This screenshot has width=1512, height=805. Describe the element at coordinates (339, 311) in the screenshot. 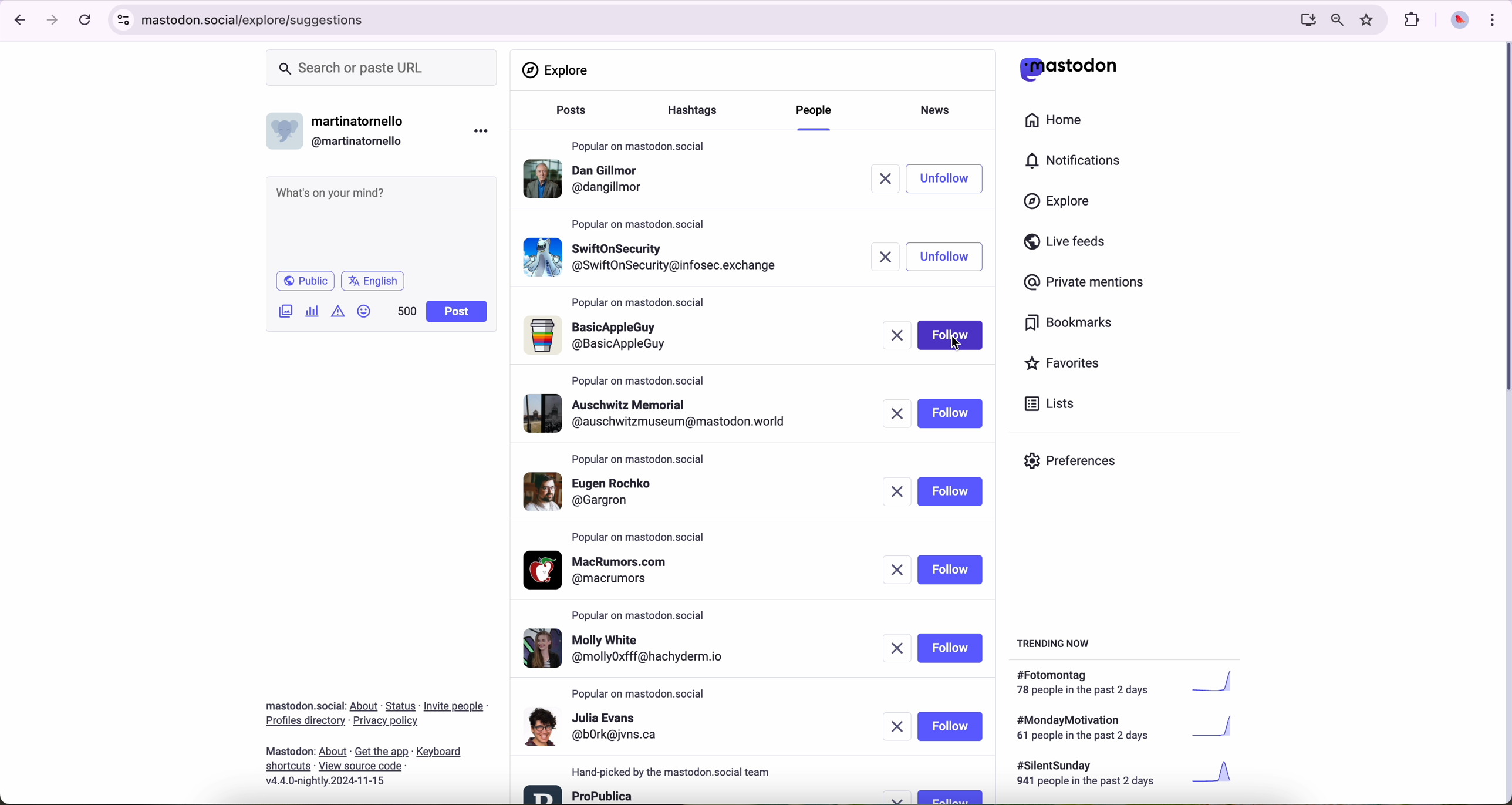

I see `icon` at that location.